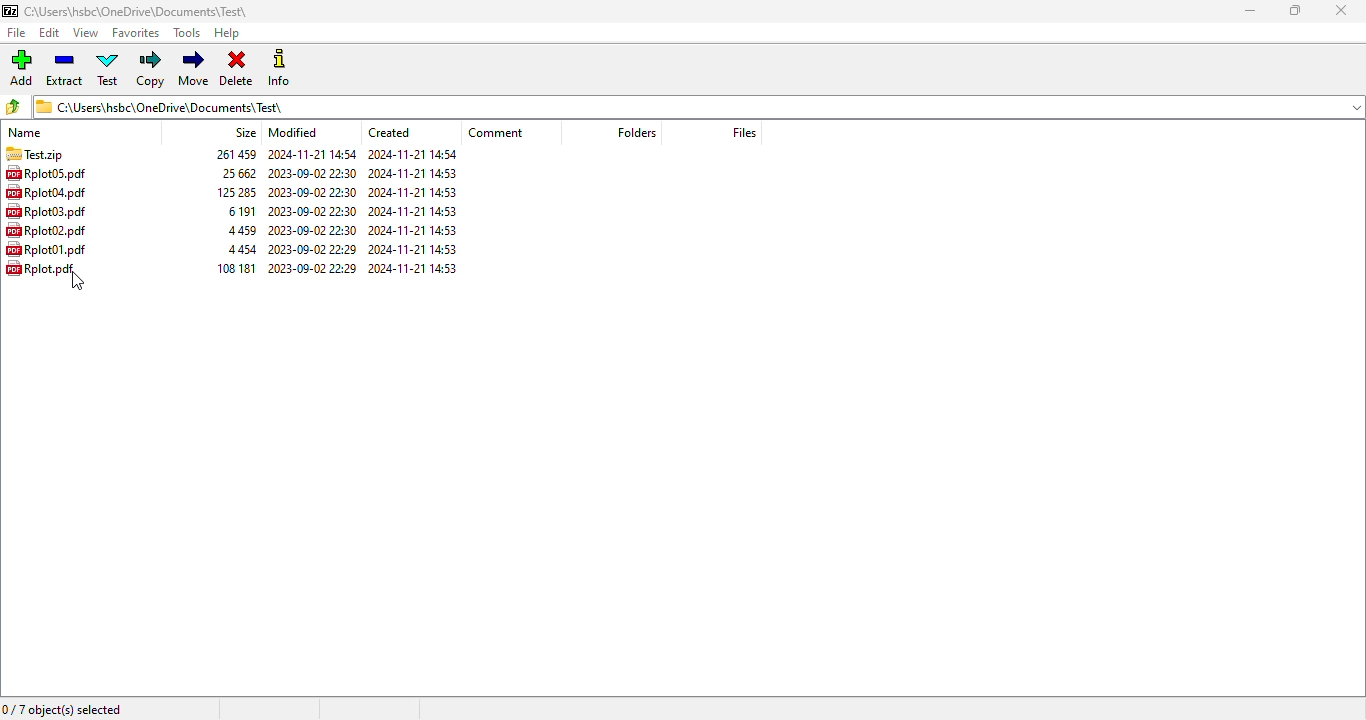 The width and height of the screenshot is (1366, 720). I want to click on test, so click(110, 68).